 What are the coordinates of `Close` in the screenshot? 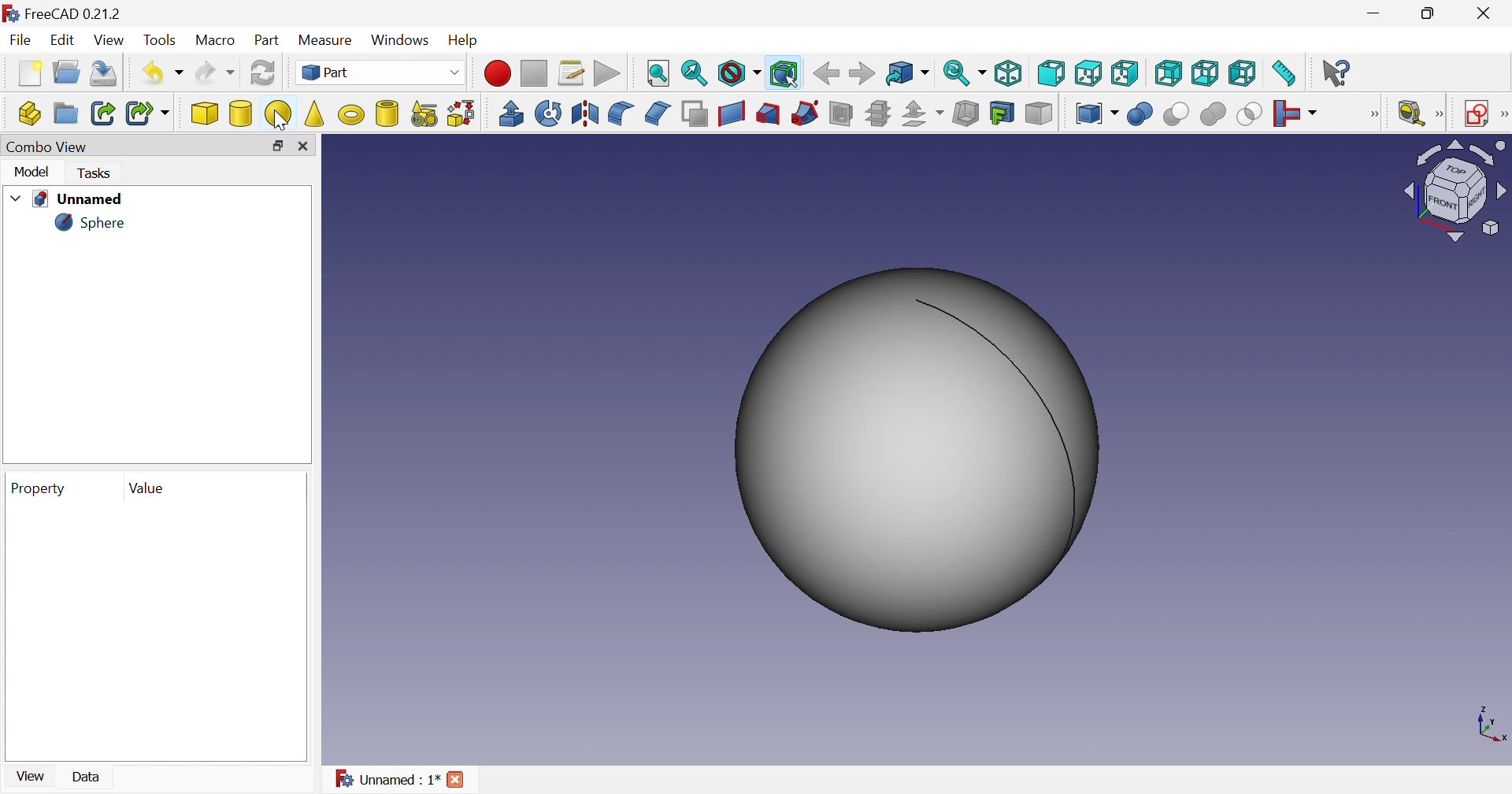 It's located at (306, 147).